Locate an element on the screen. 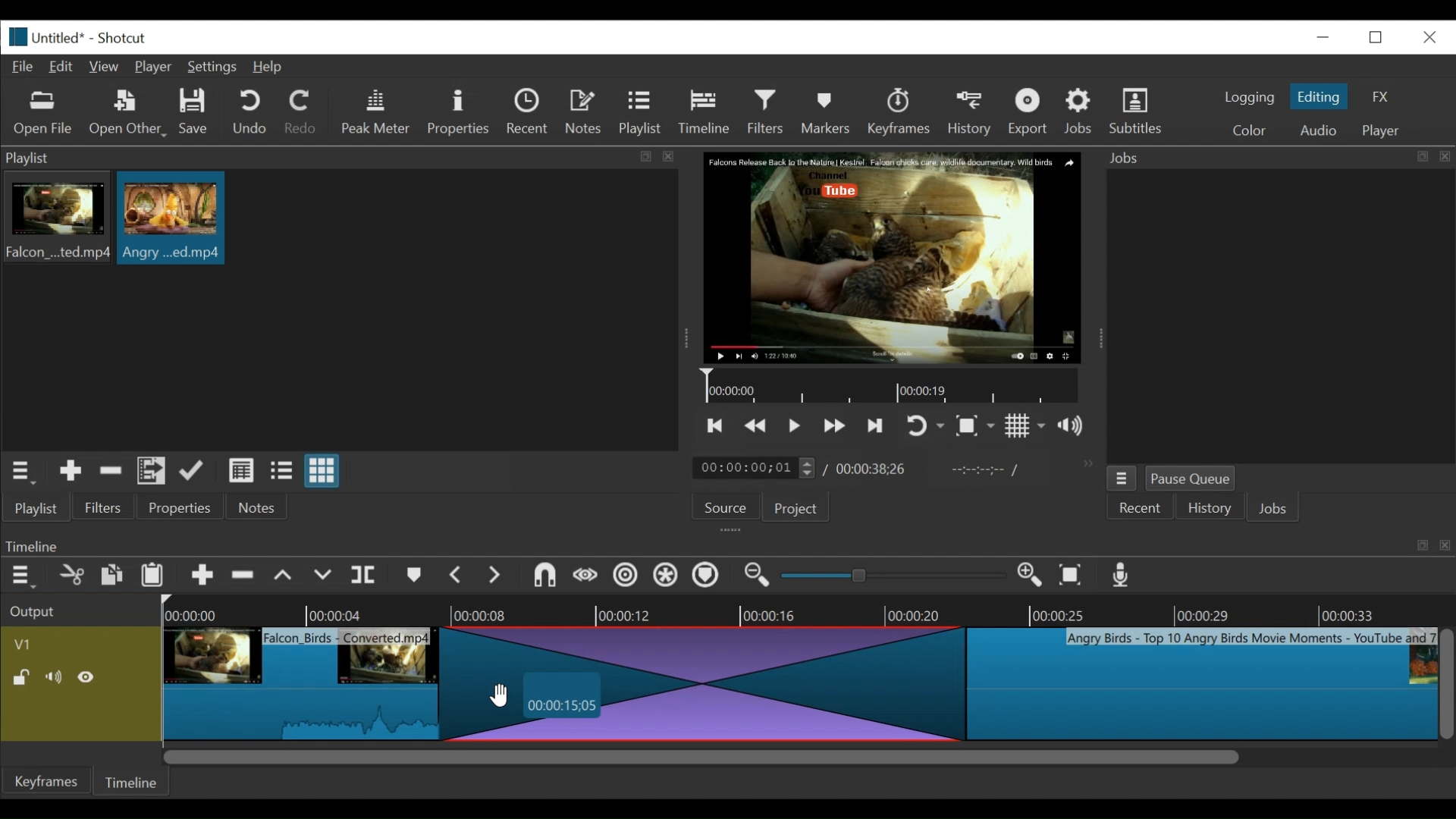 The width and height of the screenshot is (1456, 819). Timeline Panel is located at coordinates (726, 545).